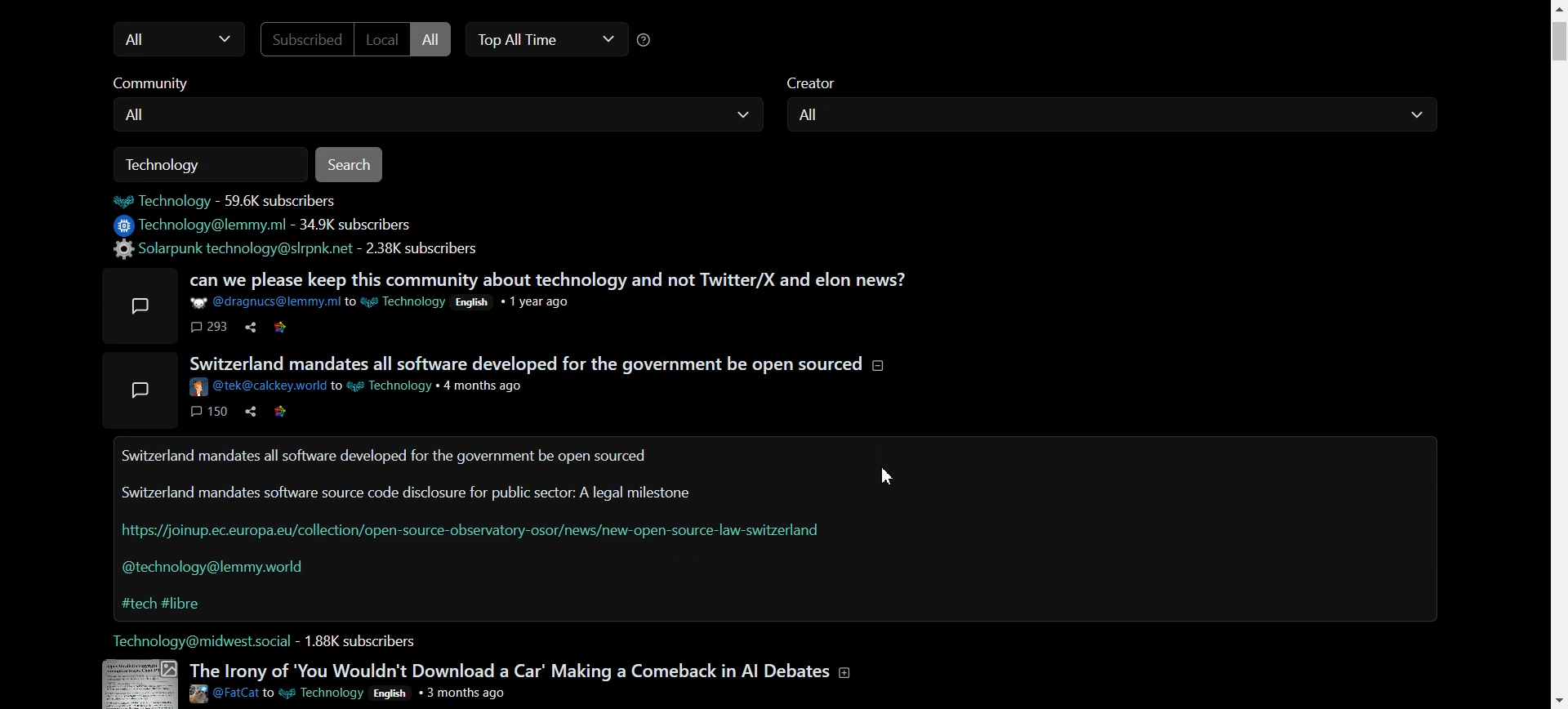 The width and height of the screenshot is (1568, 709). What do you see at coordinates (383, 457) in the screenshot?
I see `Switzerland mandates all software developed for the government be open sourced` at bounding box center [383, 457].